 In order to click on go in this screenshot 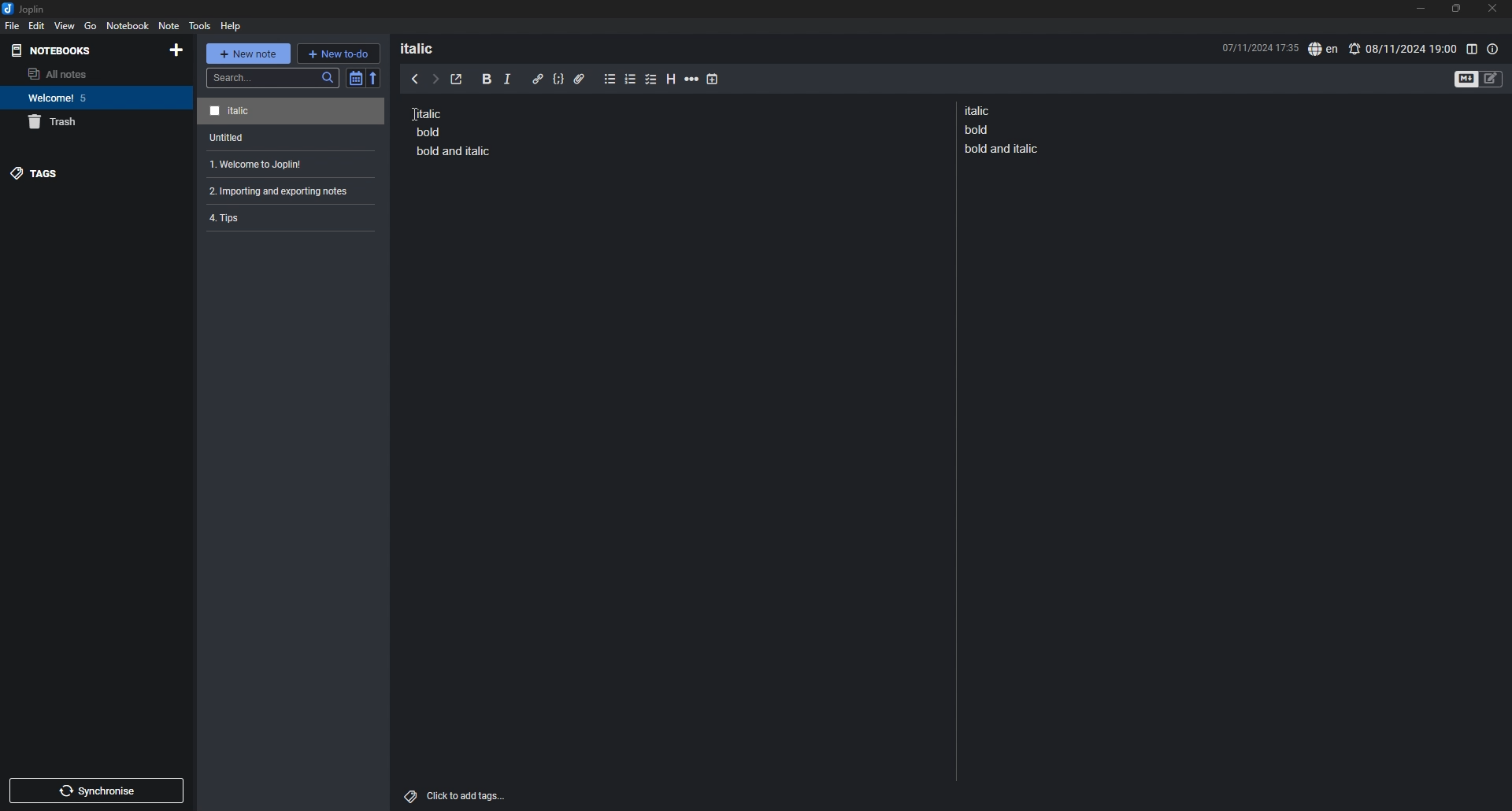, I will do `click(90, 26)`.